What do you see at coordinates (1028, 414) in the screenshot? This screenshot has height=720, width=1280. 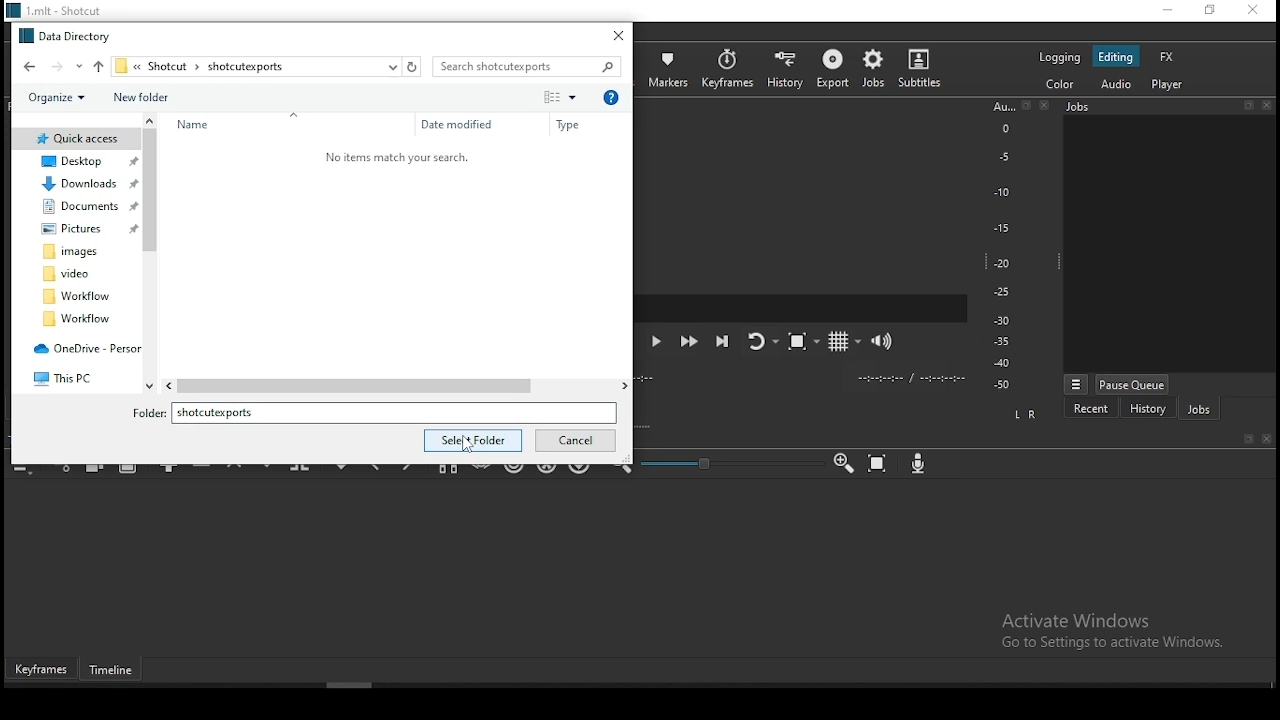 I see `Left and Right` at bounding box center [1028, 414].